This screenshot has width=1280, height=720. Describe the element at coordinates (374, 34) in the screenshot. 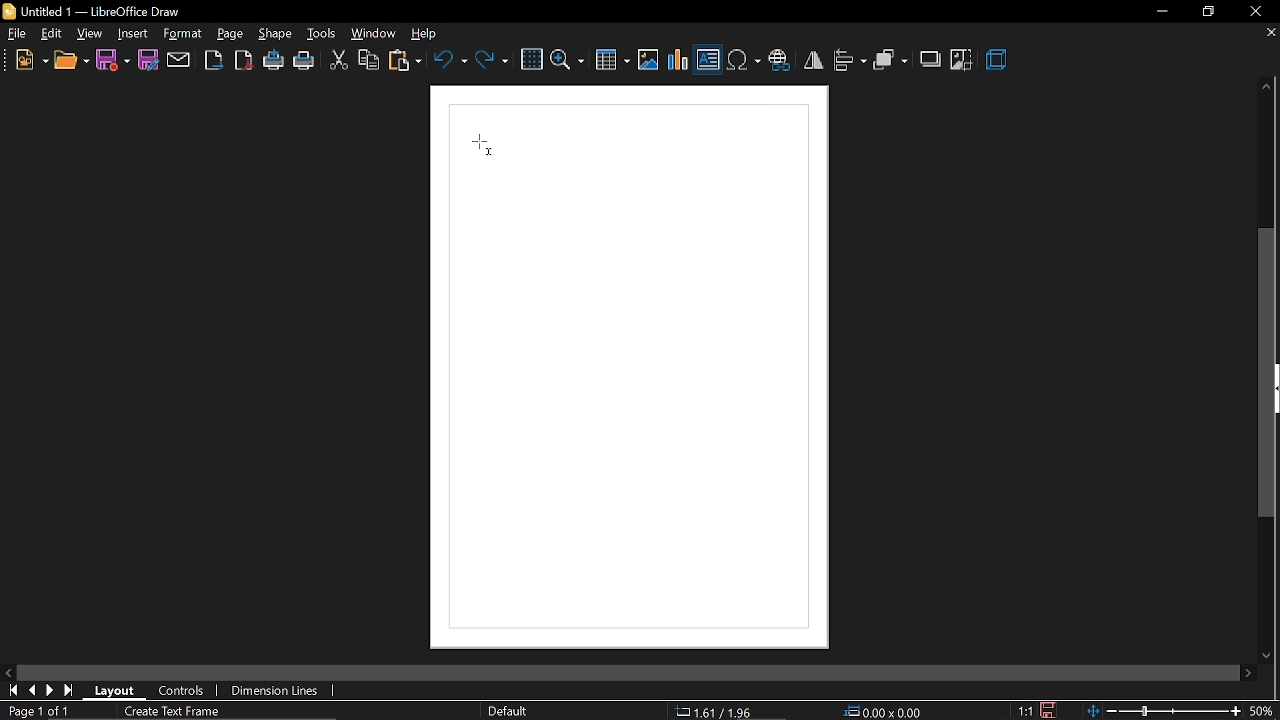

I see `window` at that location.